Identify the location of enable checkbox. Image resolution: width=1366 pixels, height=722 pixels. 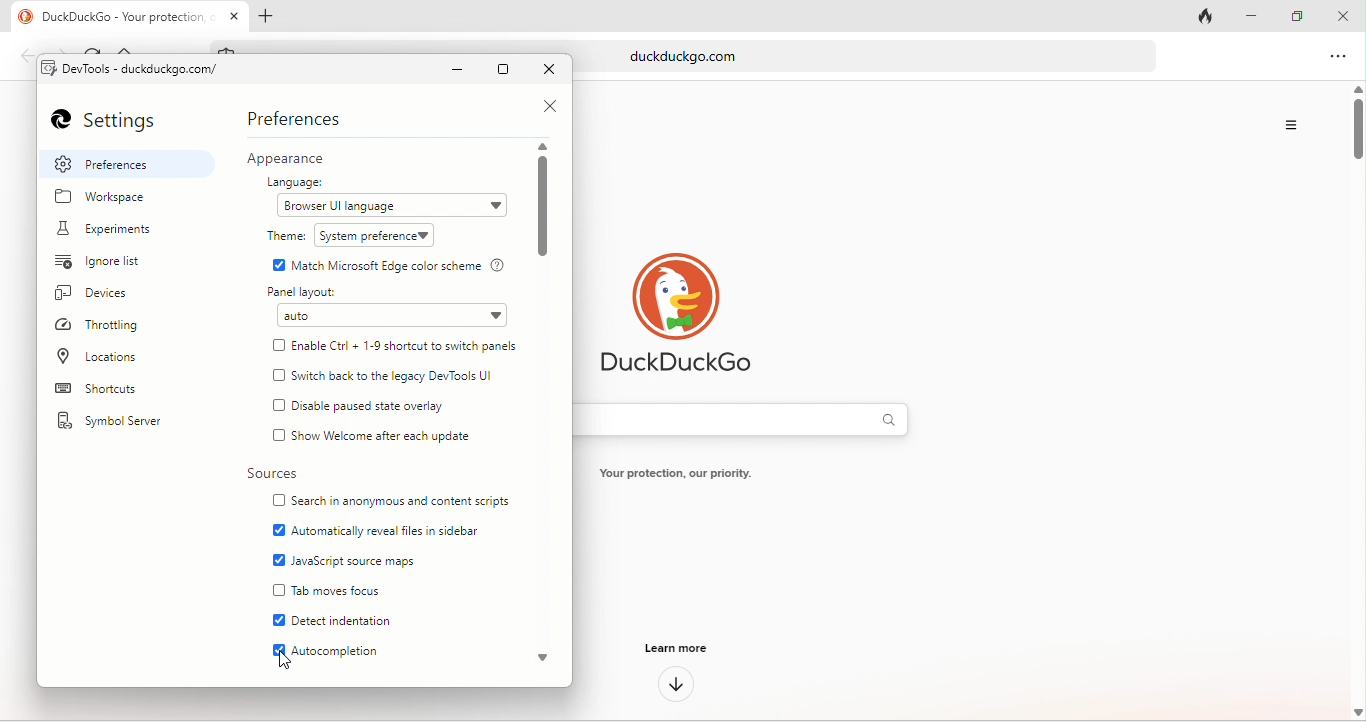
(276, 650).